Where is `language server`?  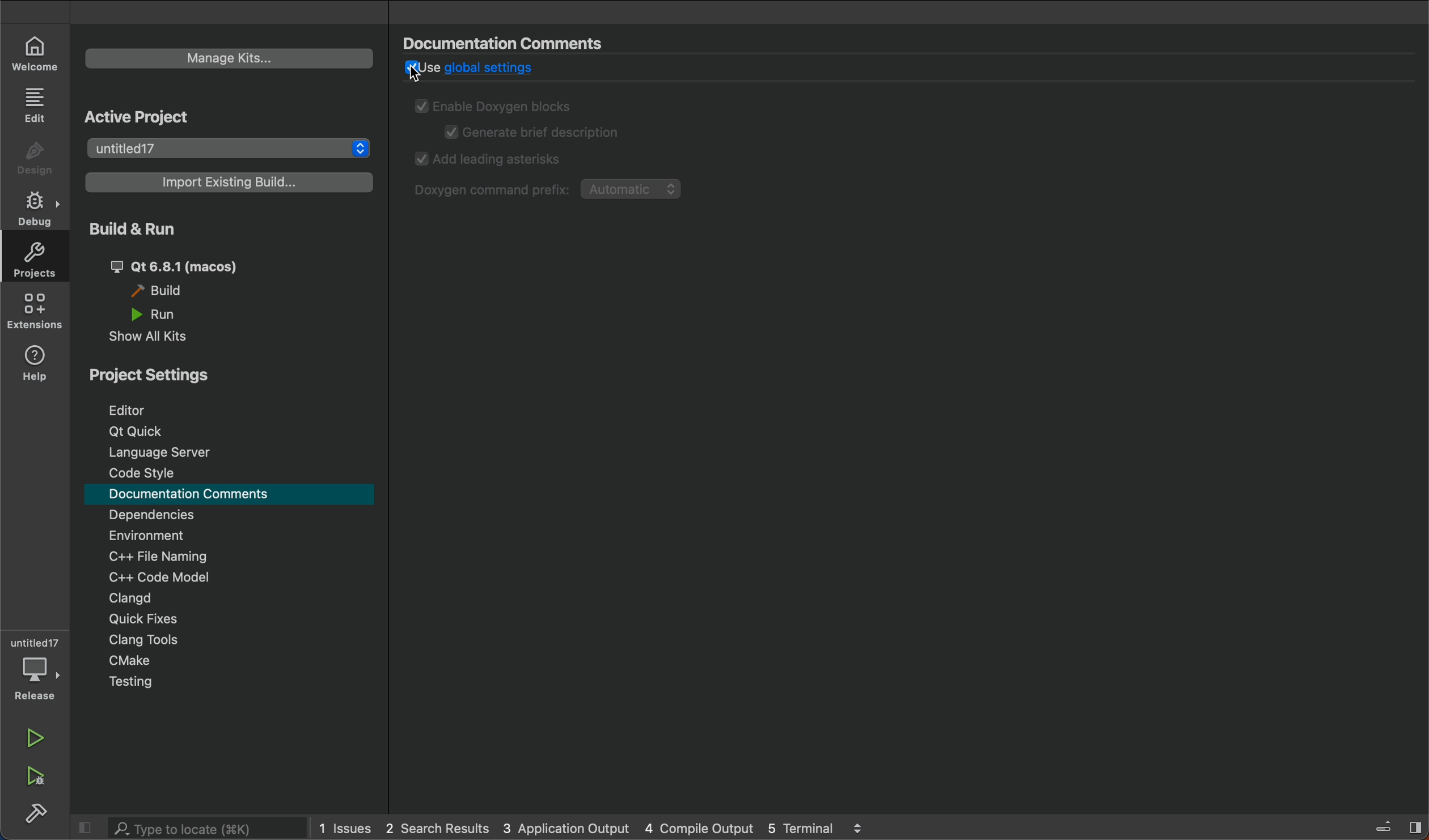
language server is located at coordinates (158, 453).